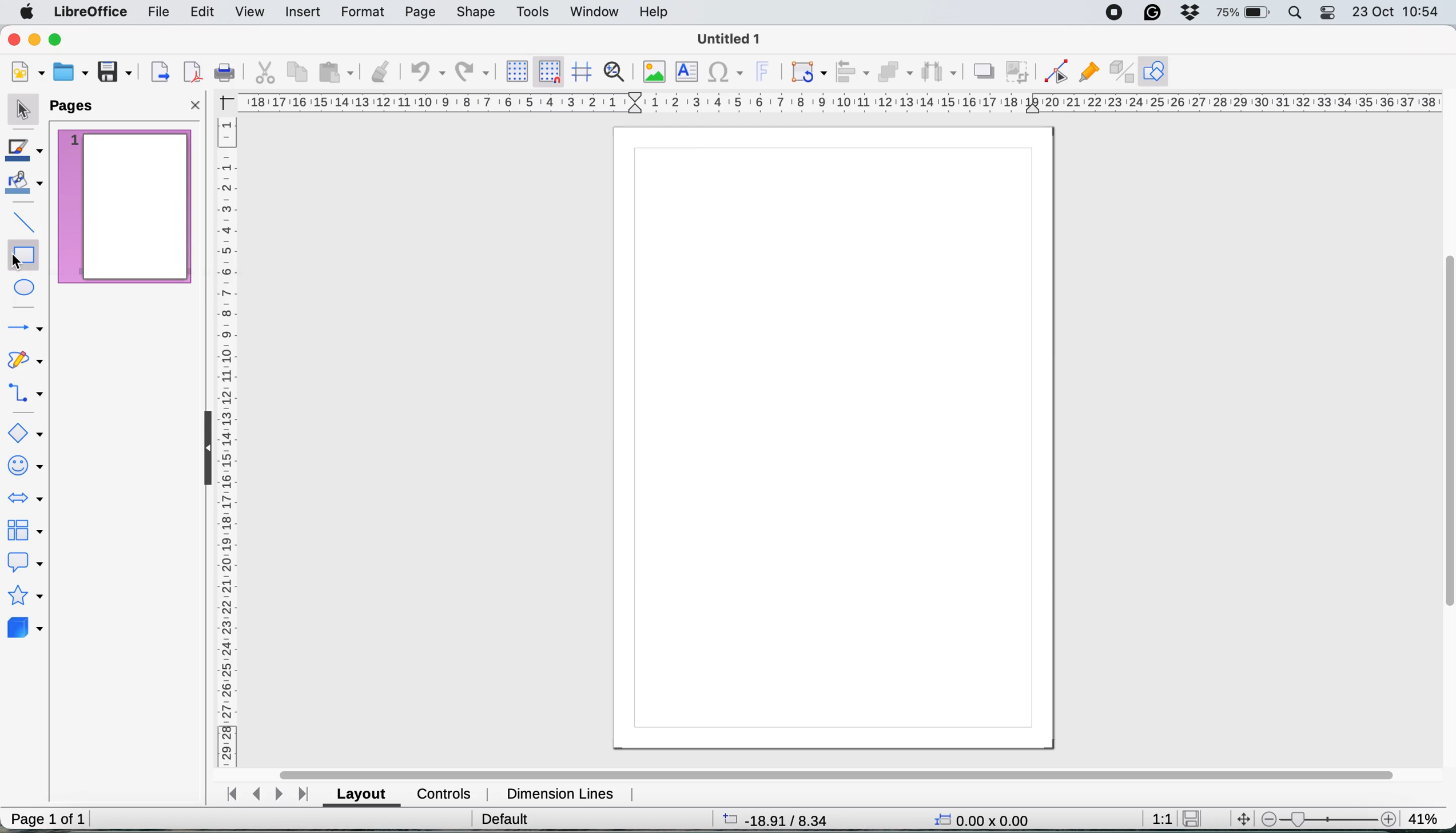 The height and width of the screenshot is (833, 1456). What do you see at coordinates (70, 73) in the screenshot?
I see `open` at bounding box center [70, 73].